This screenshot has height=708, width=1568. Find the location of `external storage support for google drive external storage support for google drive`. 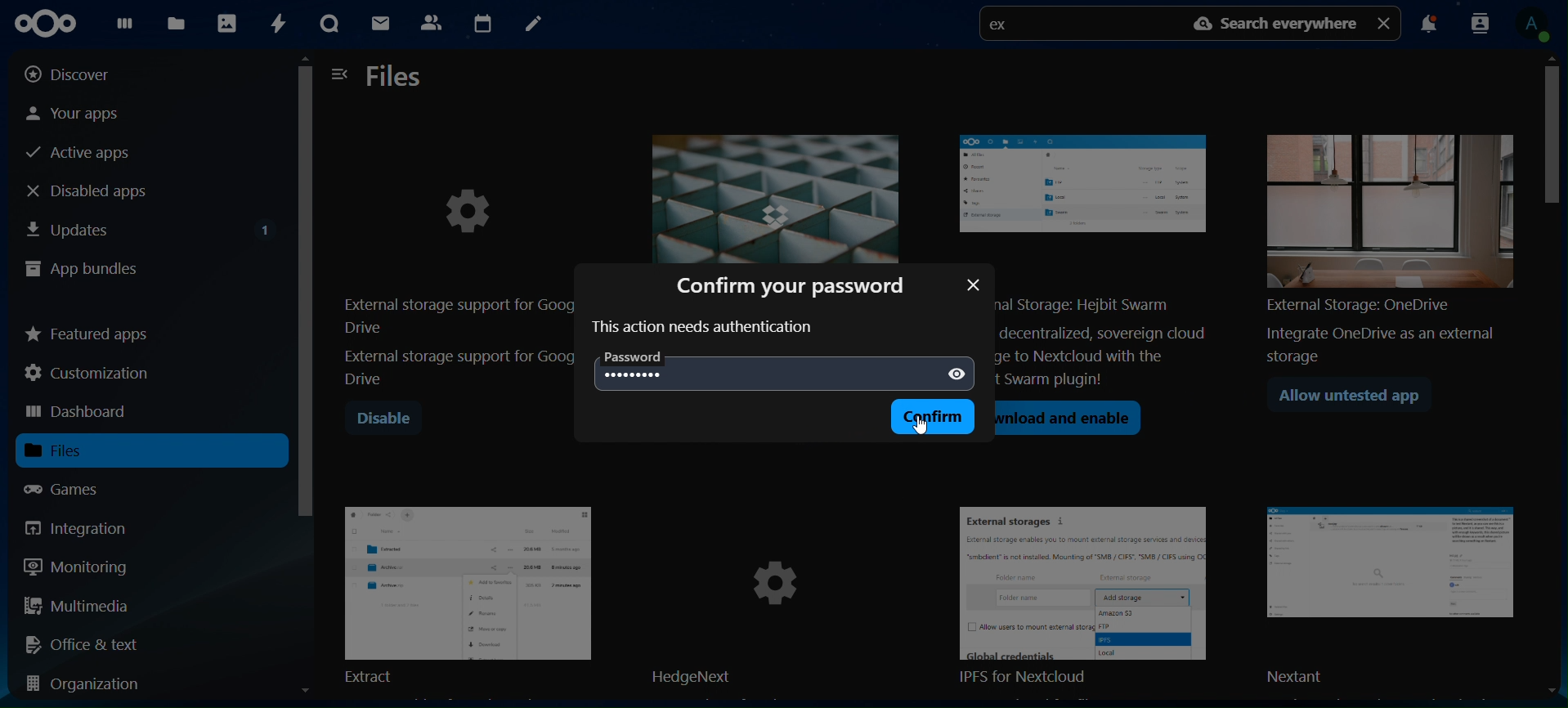

external storage support for google drive external storage support for google drive is located at coordinates (457, 270).